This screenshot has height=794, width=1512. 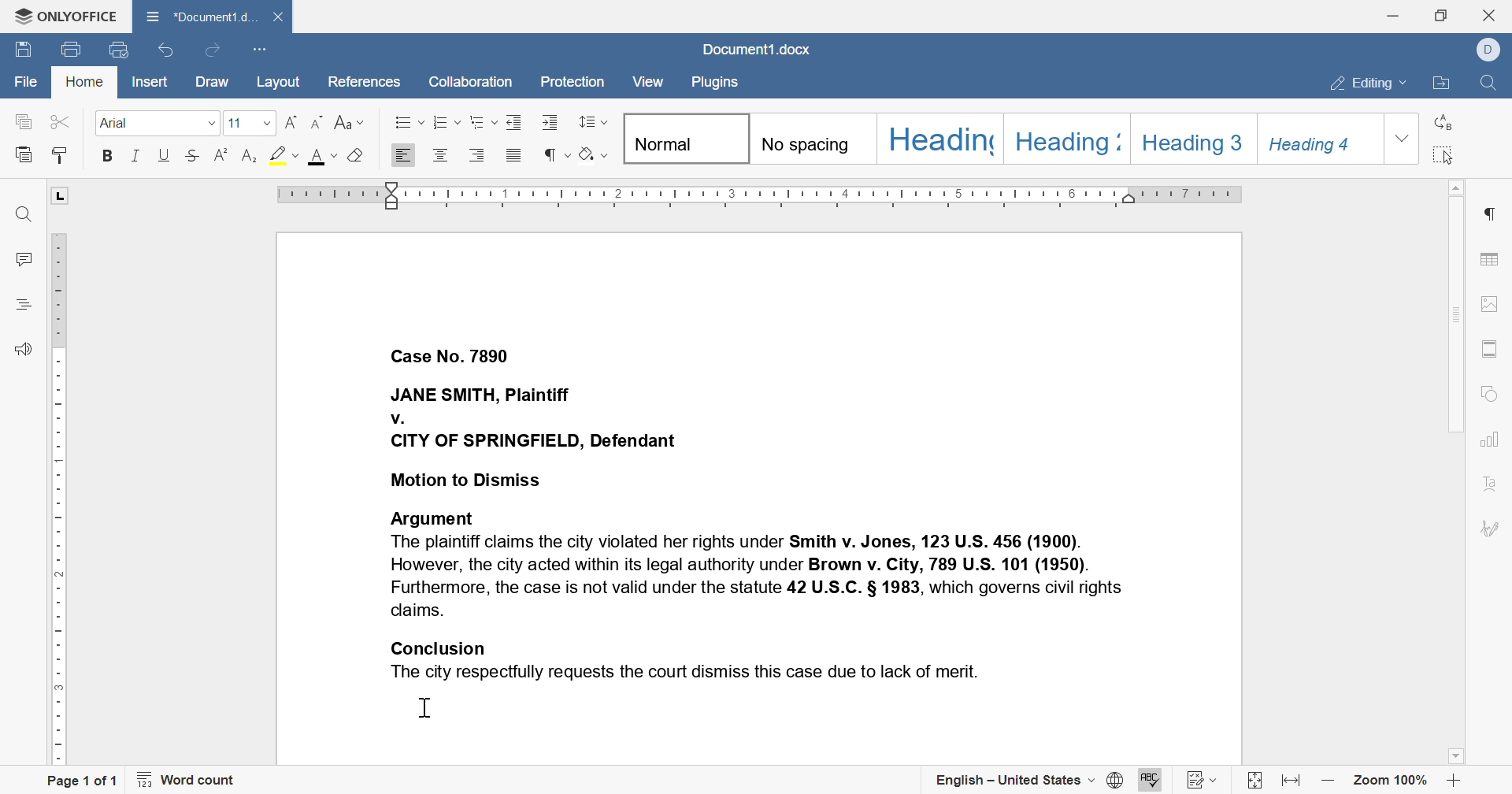 I want to click on replace, so click(x=1444, y=121).